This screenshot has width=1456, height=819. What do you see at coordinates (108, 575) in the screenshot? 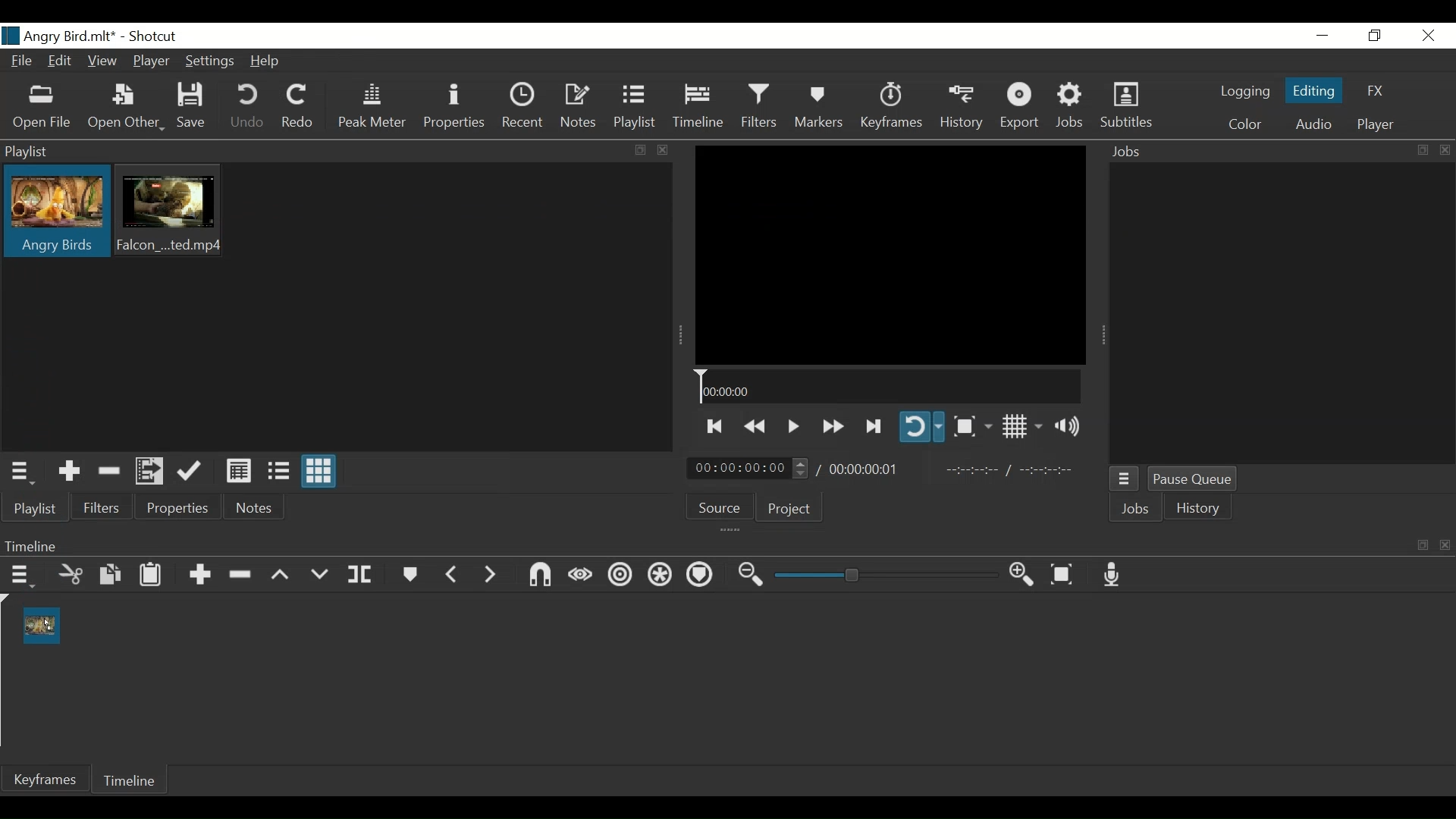
I see `Copy` at bounding box center [108, 575].